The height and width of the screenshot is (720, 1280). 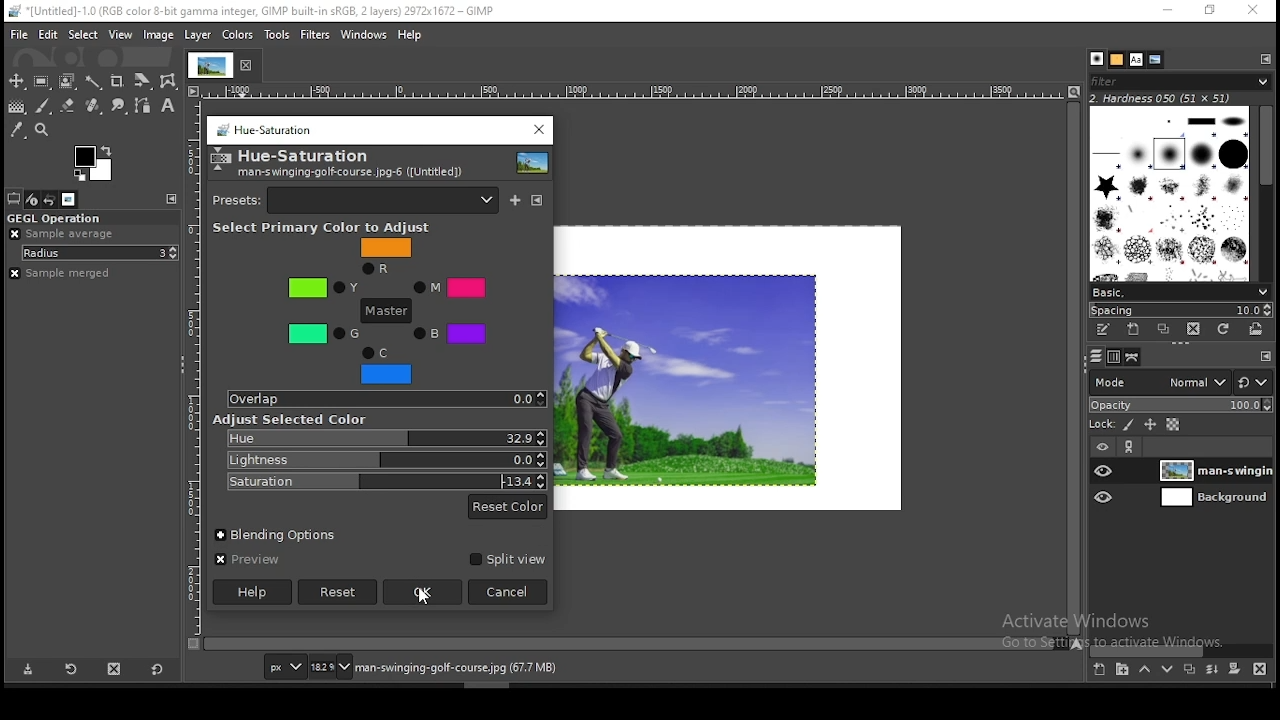 What do you see at coordinates (1135, 60) in the screenshot?
I see `fonts` at bounding box center [1135, 60].